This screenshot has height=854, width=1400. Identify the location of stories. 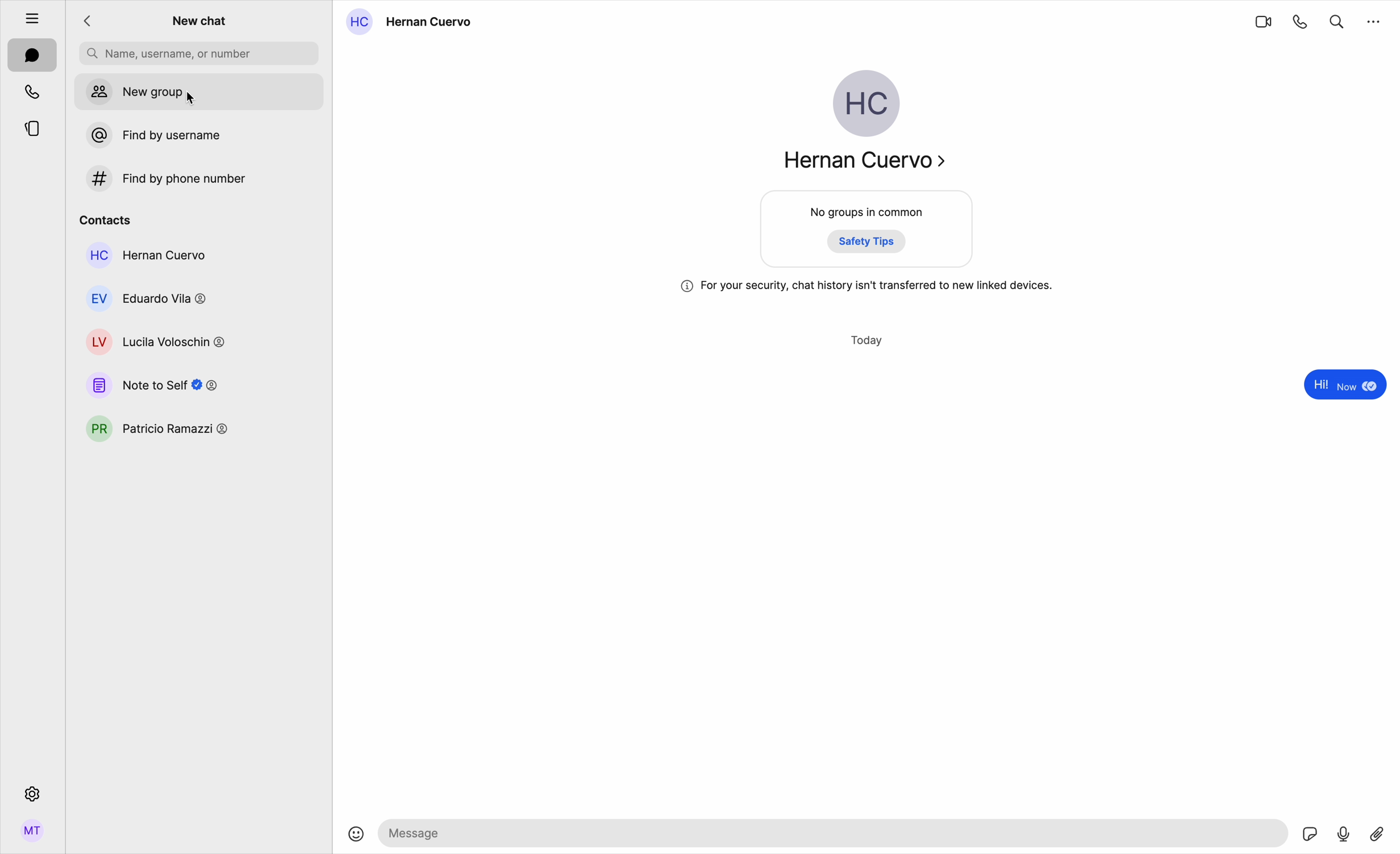
(32, 127).